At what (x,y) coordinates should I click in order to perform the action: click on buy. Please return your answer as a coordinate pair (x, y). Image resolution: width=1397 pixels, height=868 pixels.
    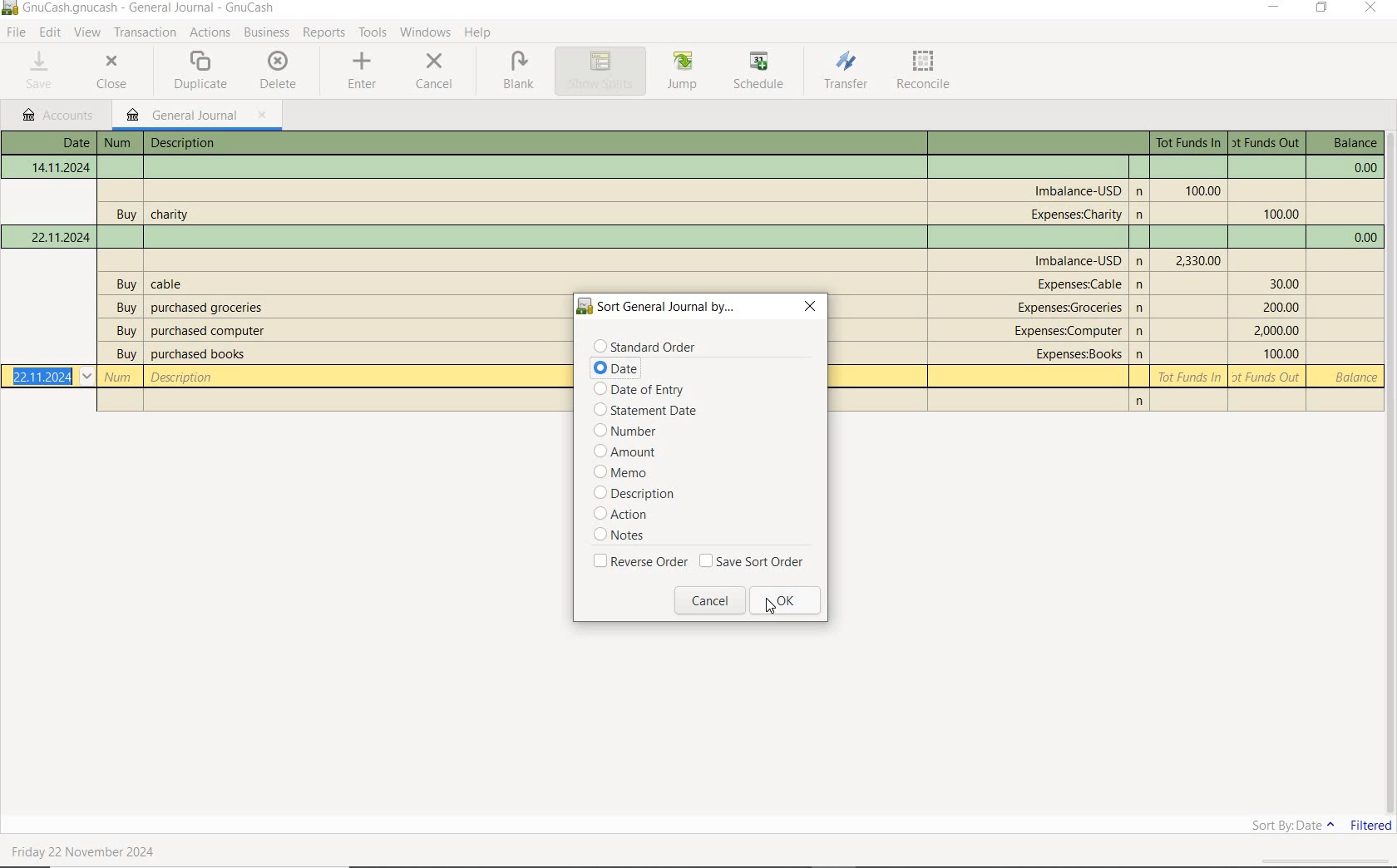
    Looking at the image, I should click on (126, 355).